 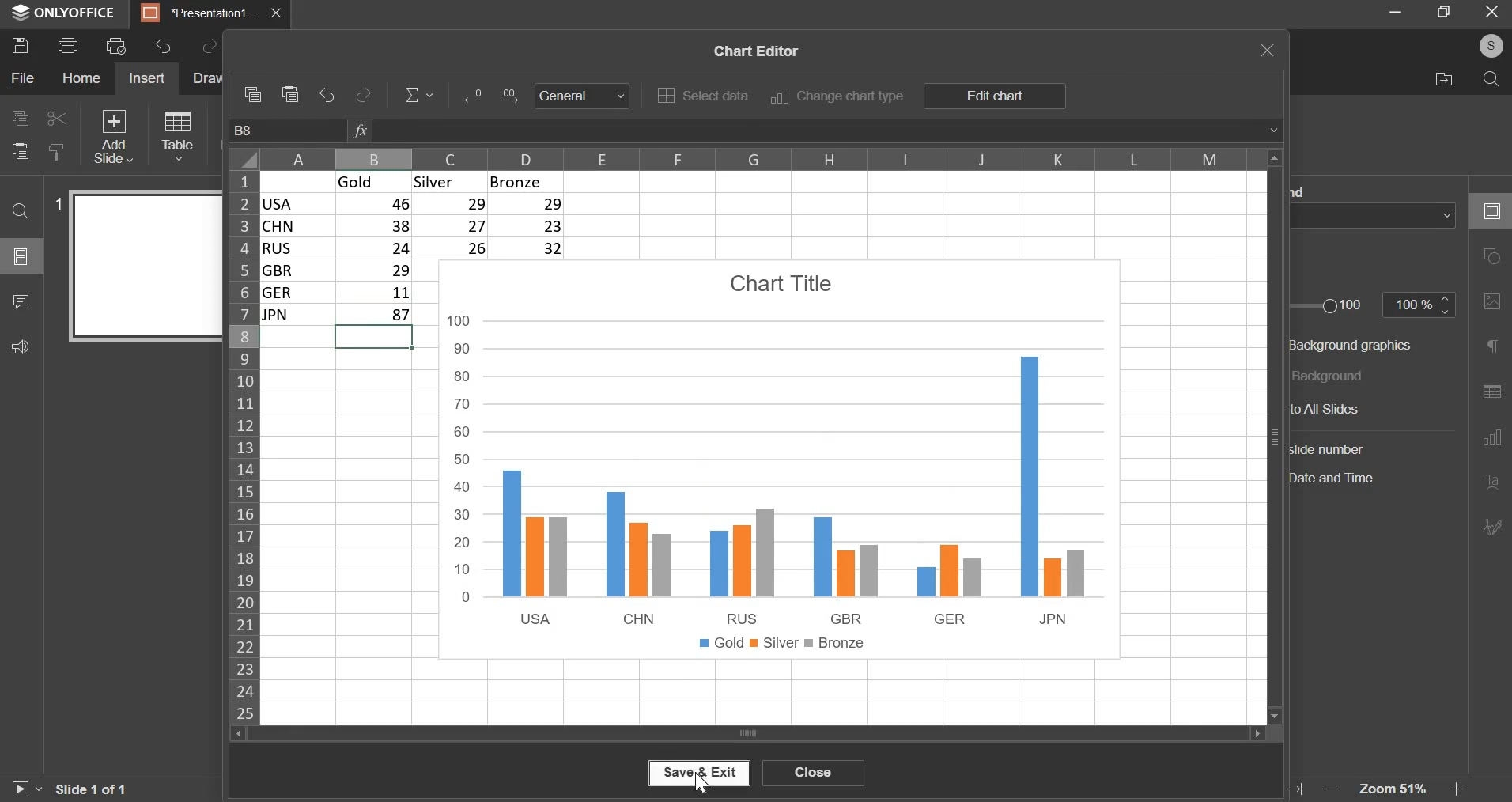 I want to click on slide number, so click(x=1331, y=448).